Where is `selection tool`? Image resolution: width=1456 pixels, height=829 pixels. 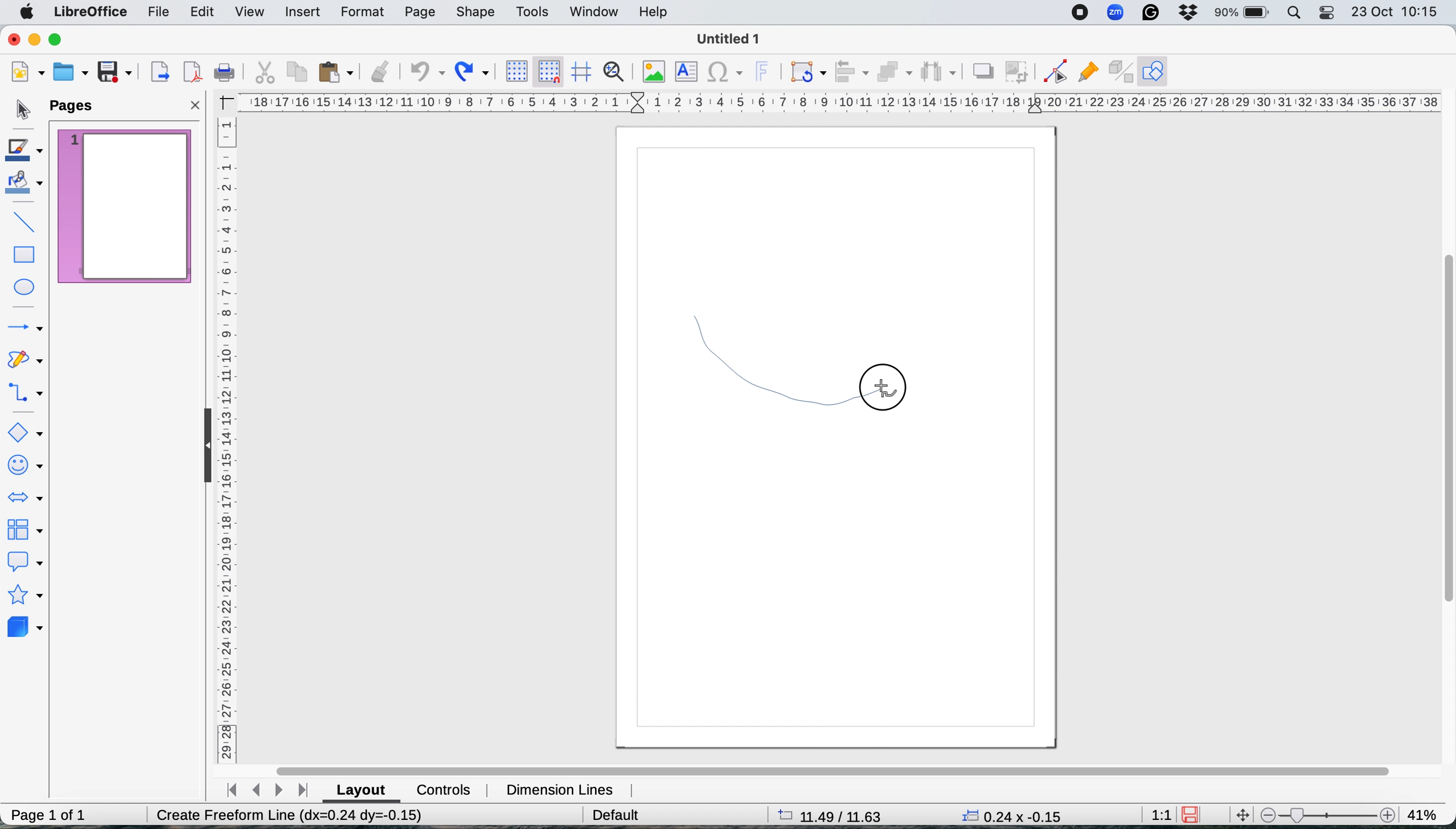 selection tool is located at coordinates (21, 108).